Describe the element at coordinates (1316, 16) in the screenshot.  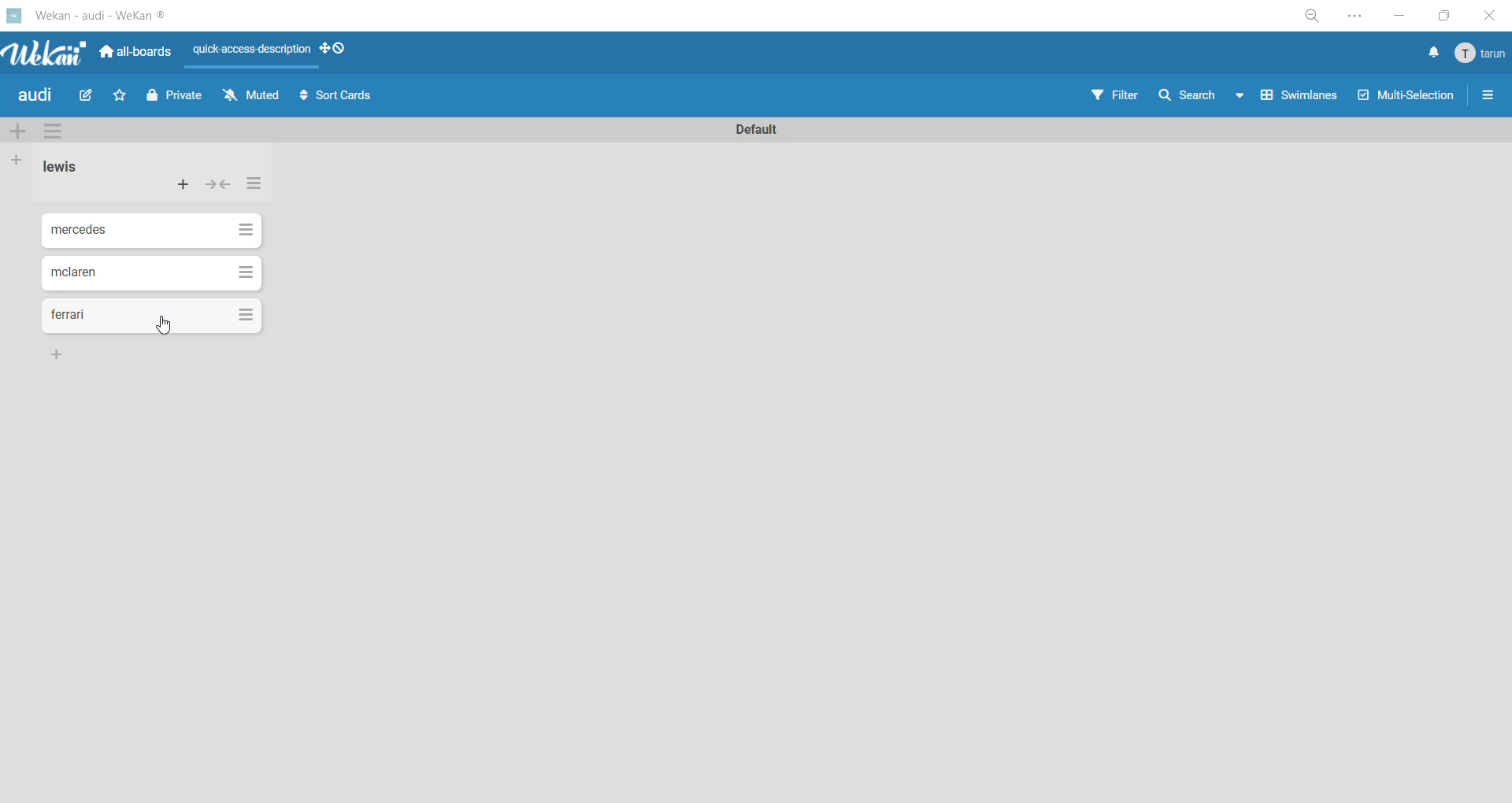
I see `zoom` at that location.